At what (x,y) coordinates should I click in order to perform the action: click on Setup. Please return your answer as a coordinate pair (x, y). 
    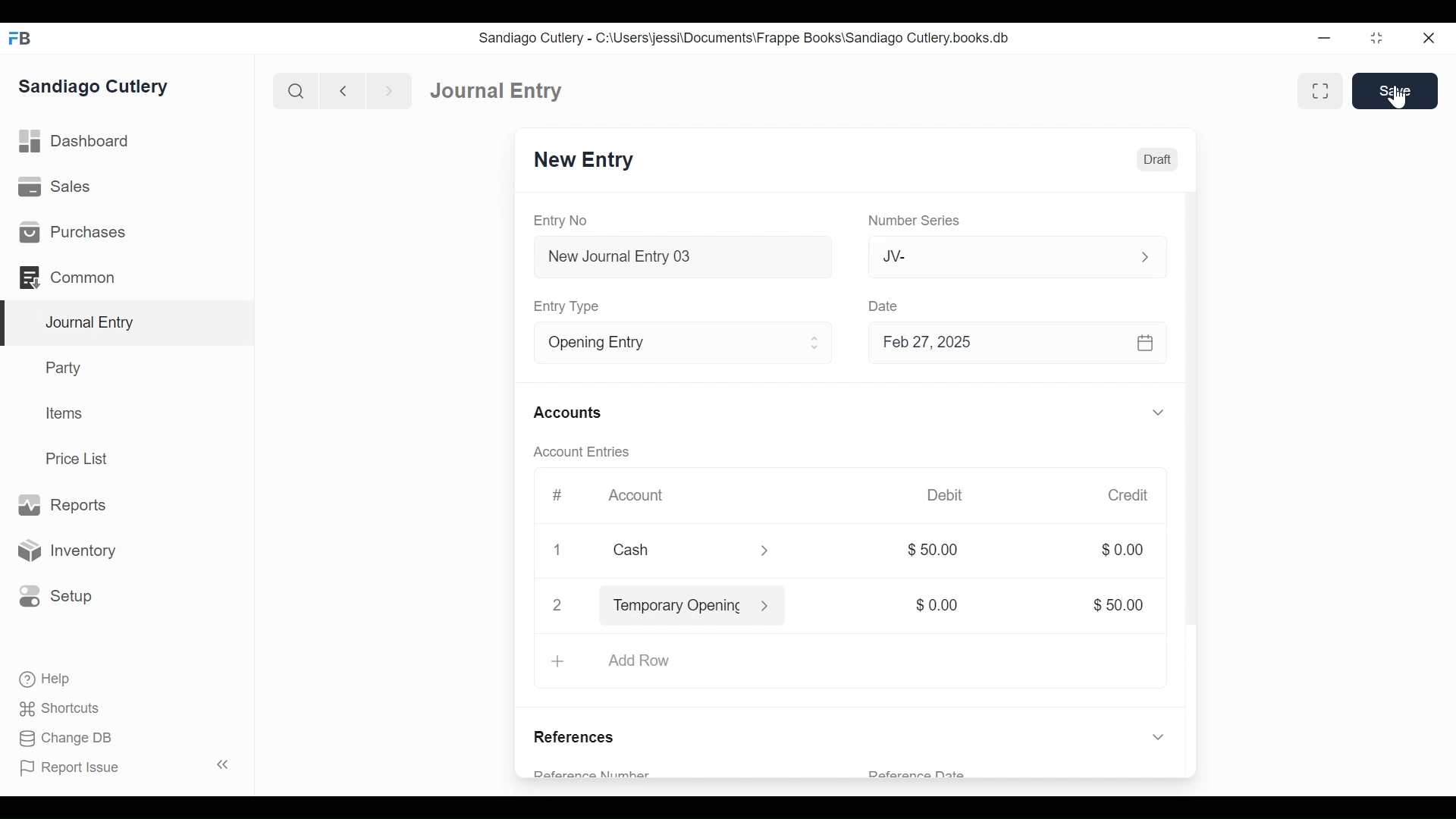
    Looking at the image, I should click on (56, 597).